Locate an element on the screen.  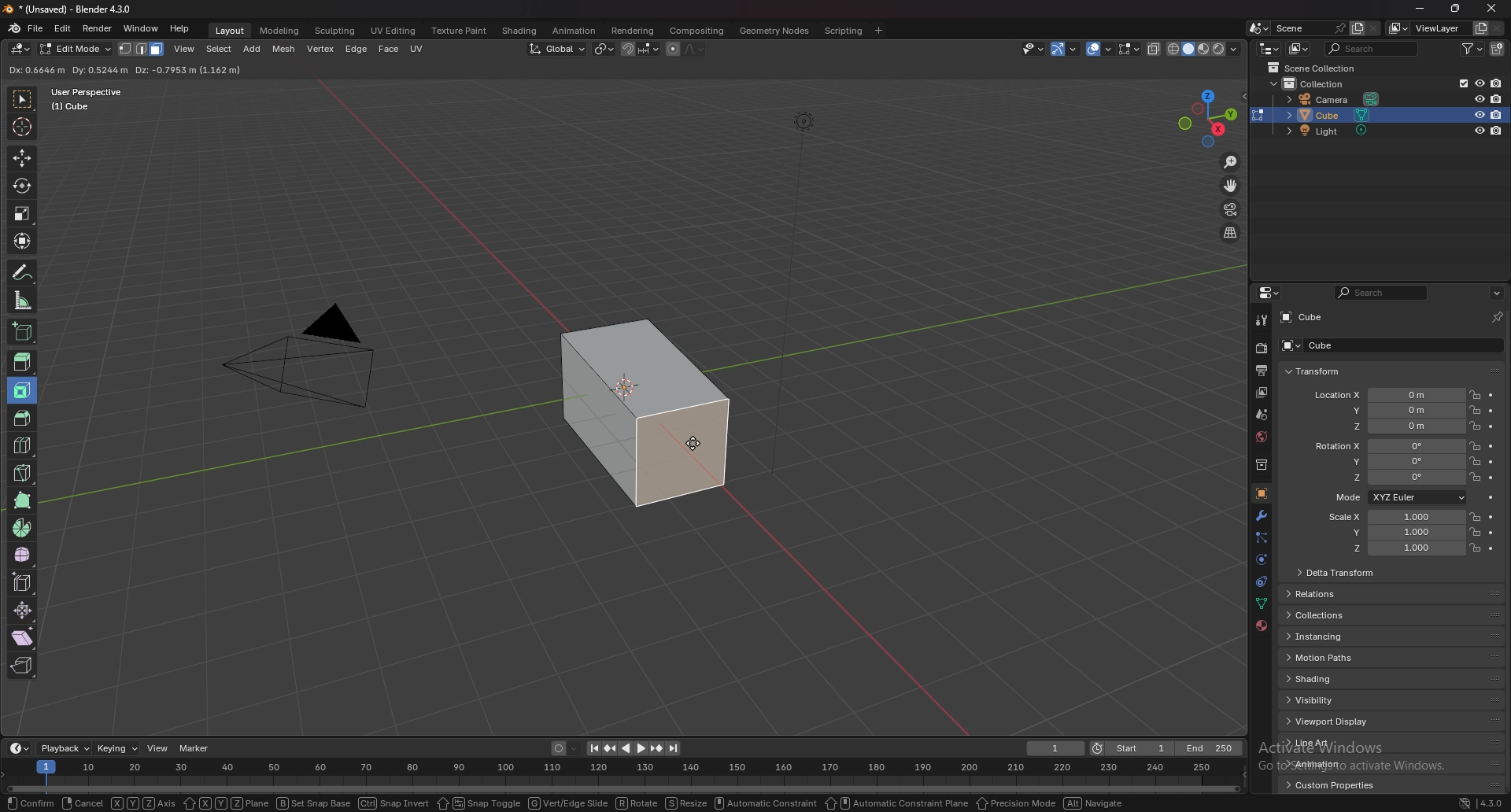
viewport display is located at coordinates (1332, 722).